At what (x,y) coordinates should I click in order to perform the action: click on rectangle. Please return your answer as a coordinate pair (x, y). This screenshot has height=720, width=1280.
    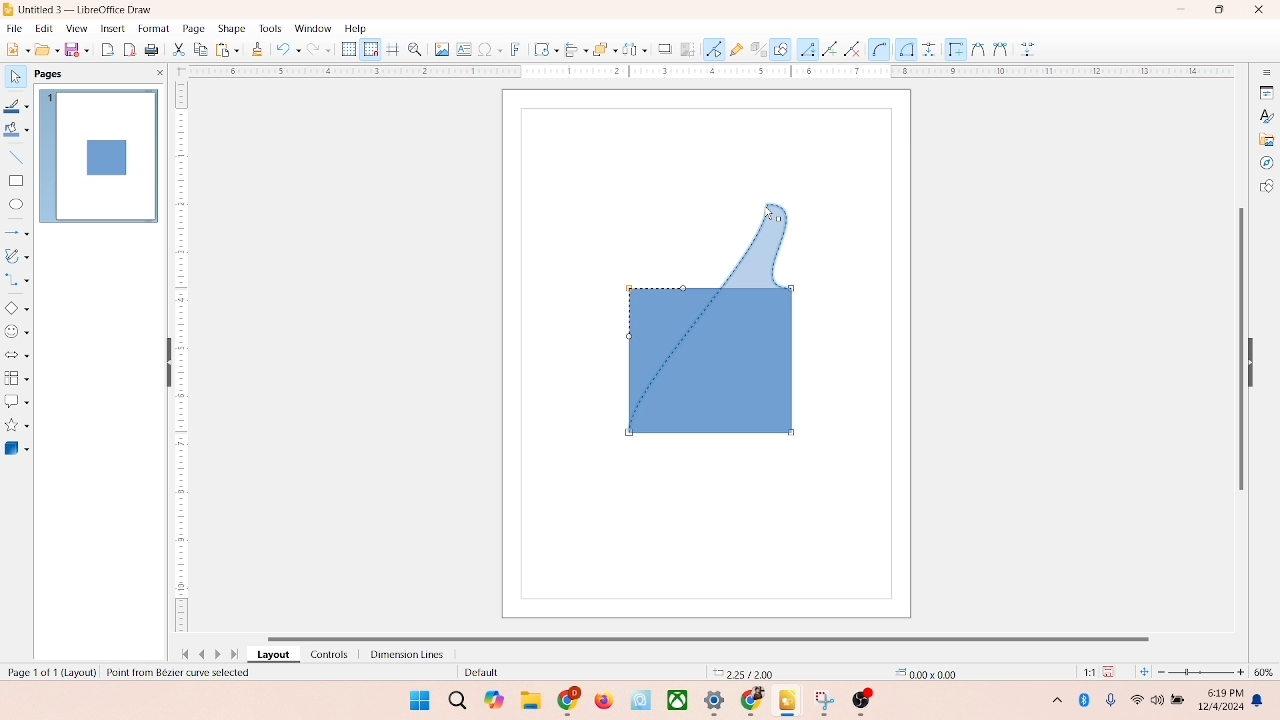
    Looking at the image, I should click on (16, 180).